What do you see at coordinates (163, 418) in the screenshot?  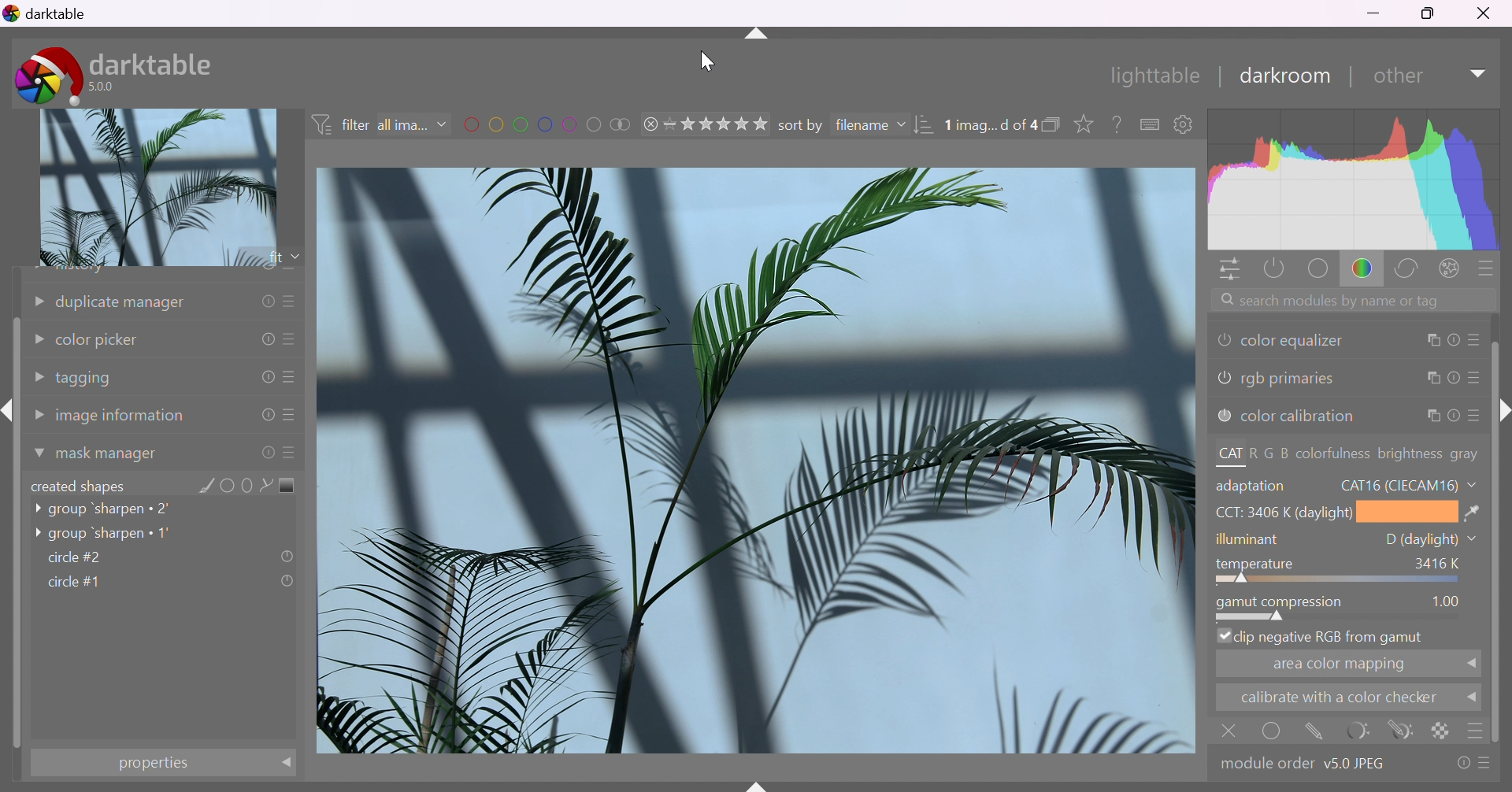 I see `image information` at bounding box center [163, 418].